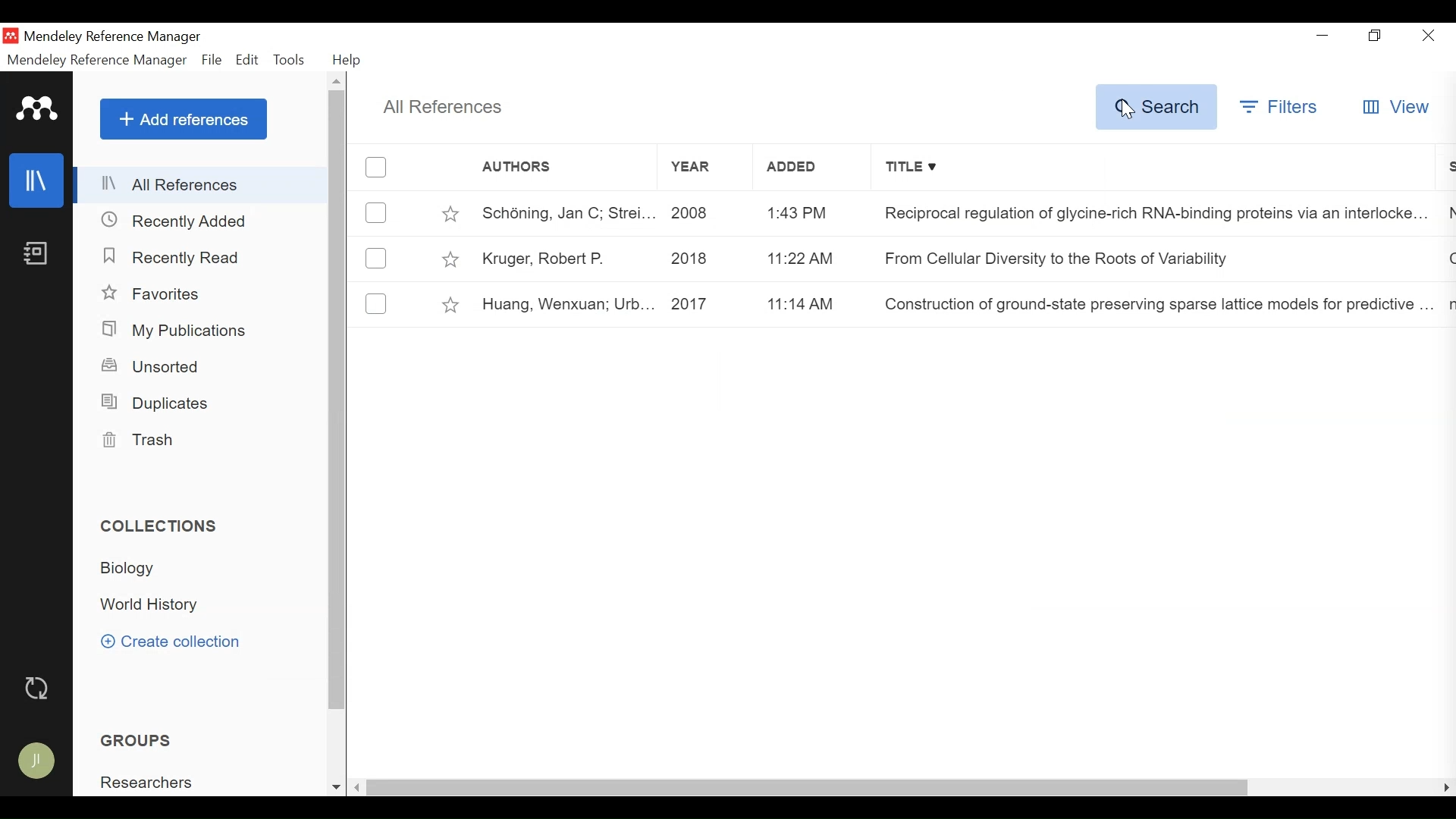 This screenshot has width=1456, height=819. What do you see at coordinates (338, 400) in the screenshot?
I see `Vertical Scroll bar` at bounding box center [338, 400].